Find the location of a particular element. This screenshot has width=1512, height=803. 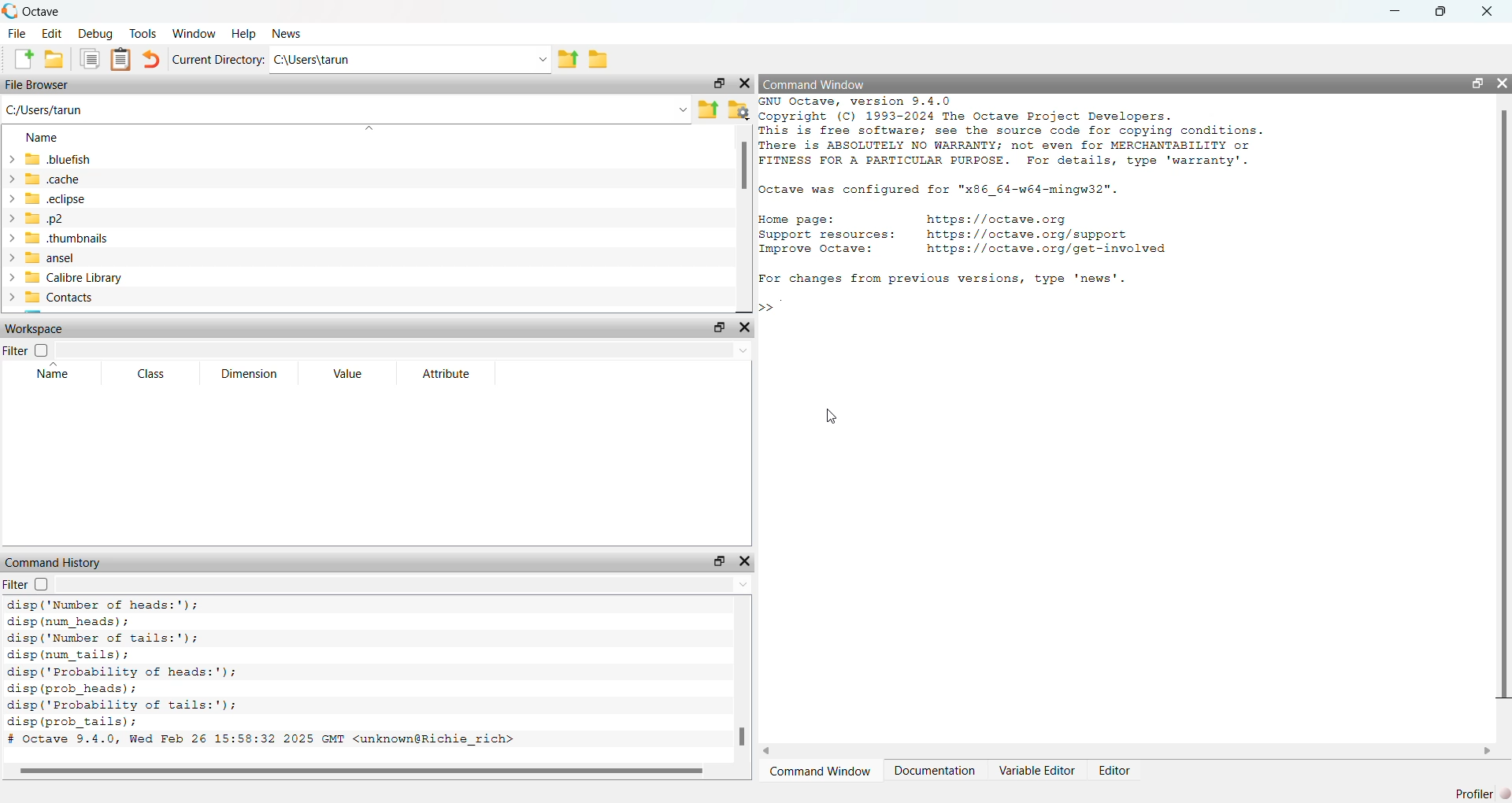

Undo is located at coordinates (152, 59).